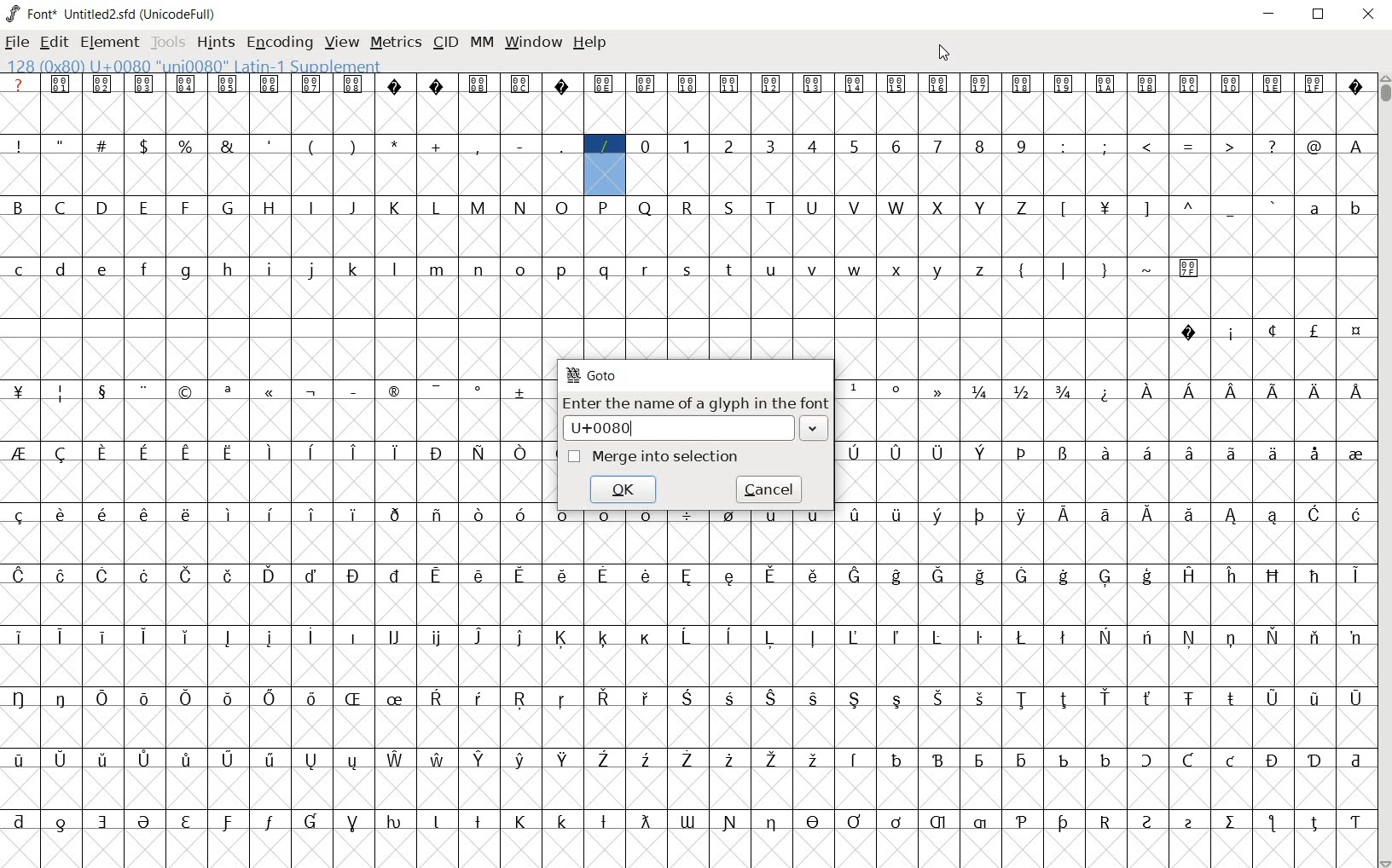 Image resolution: width=1392 pixels, height=868 pixels. I want to click on glyph, so click(814, 821).